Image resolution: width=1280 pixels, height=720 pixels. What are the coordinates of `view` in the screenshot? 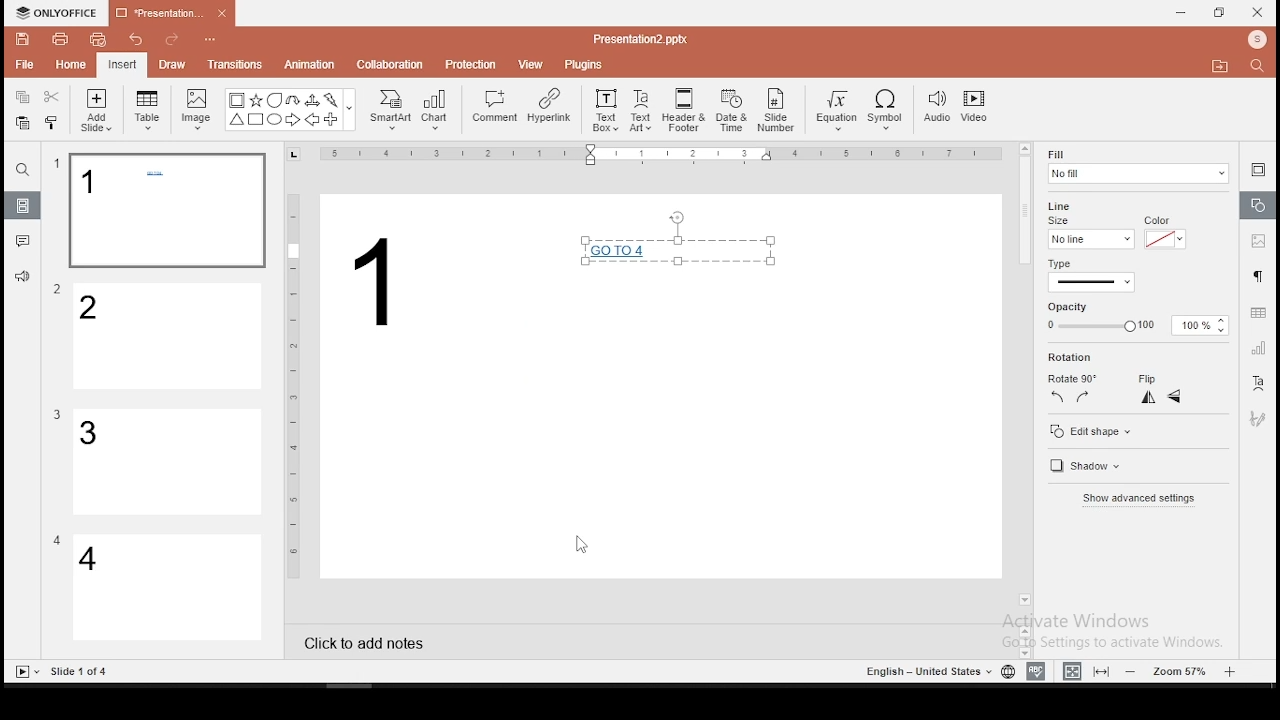 It's located at (532, 63).